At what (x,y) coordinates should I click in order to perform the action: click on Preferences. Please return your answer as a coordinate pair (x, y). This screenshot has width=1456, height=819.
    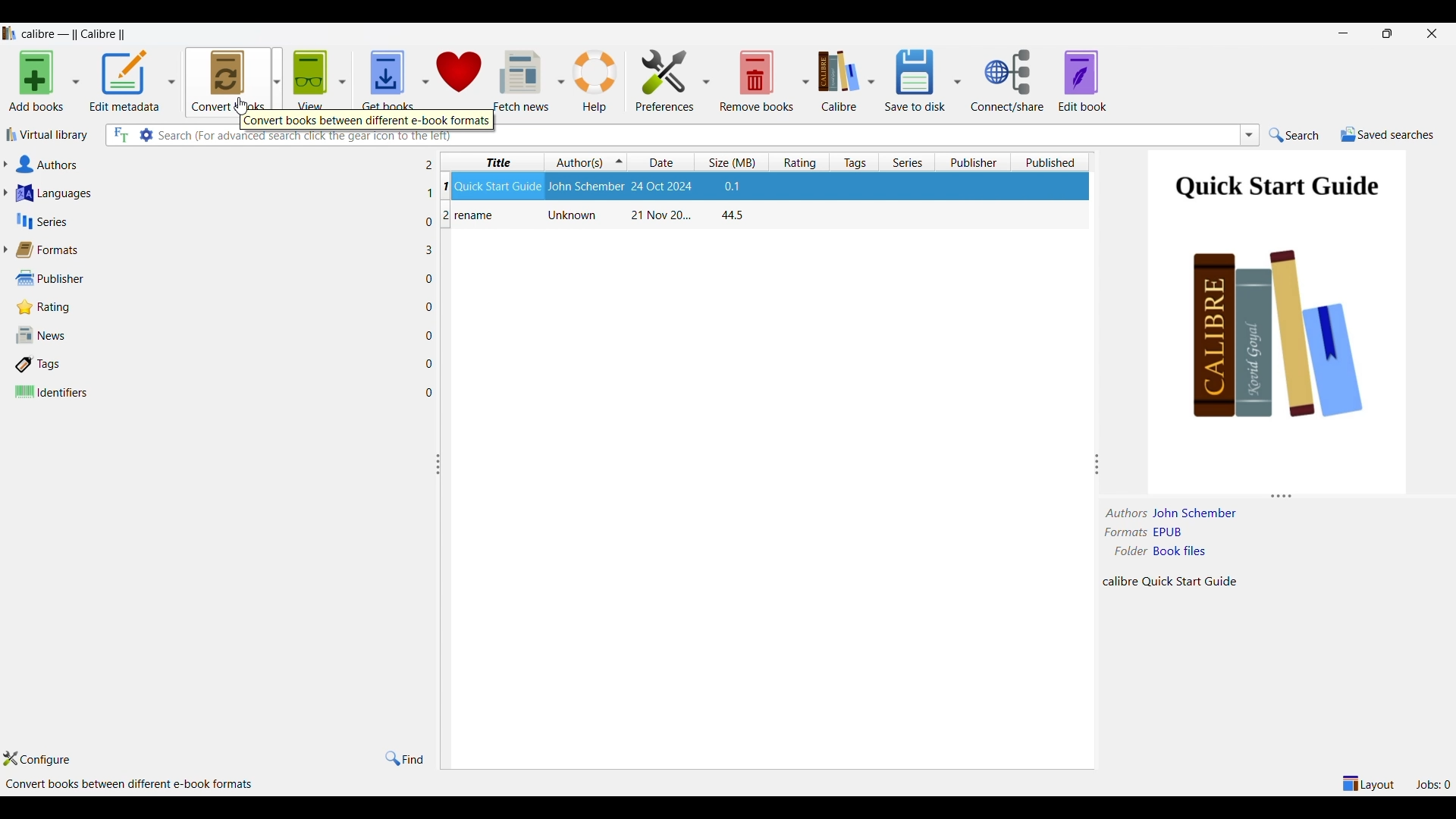
    Looking at the image, I should click on (665, 79).